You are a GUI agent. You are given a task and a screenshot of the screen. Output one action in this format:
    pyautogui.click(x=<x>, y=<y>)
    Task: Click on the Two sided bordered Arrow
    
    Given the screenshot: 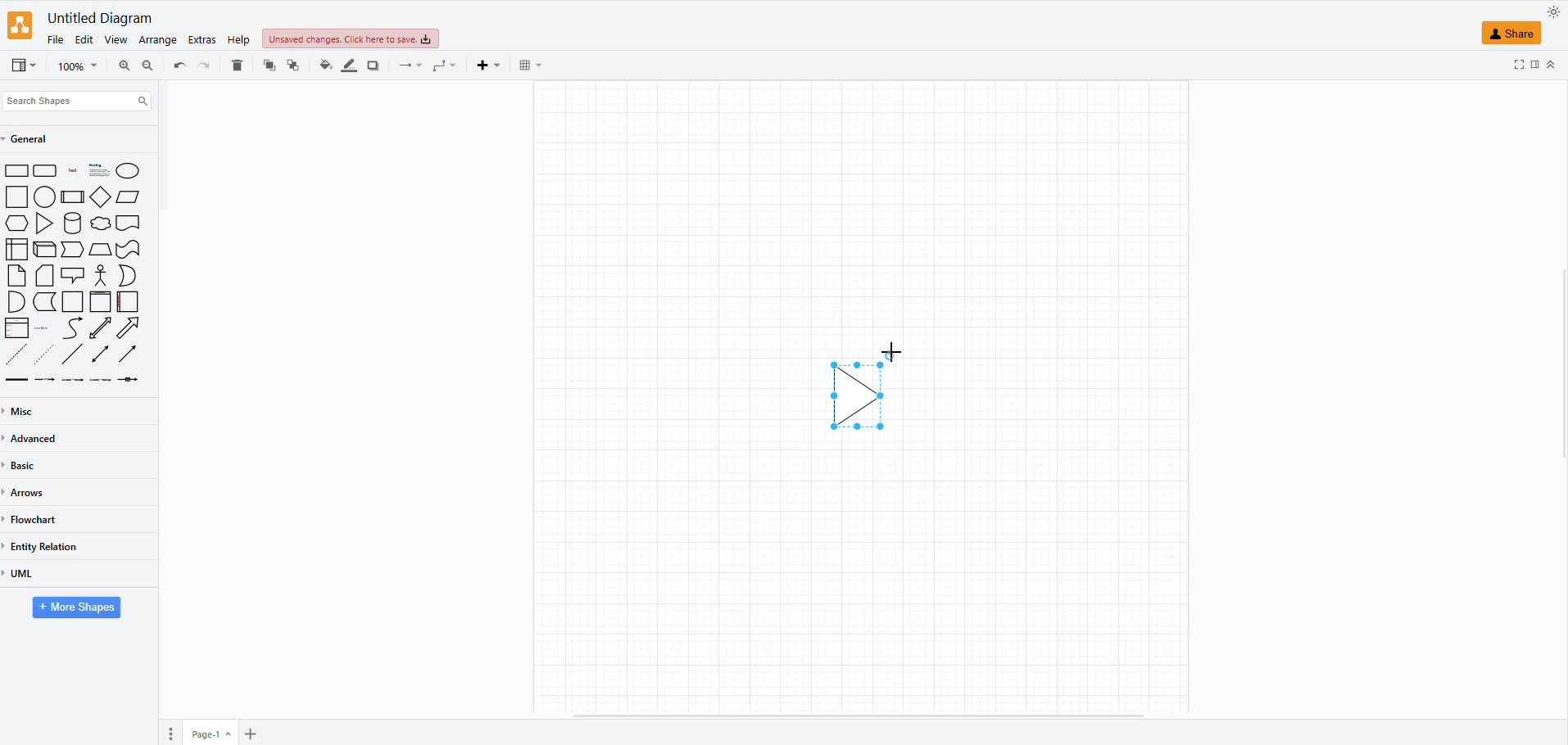 What is the action you would take?
    pyautogui.click(x=100, y=327)
    